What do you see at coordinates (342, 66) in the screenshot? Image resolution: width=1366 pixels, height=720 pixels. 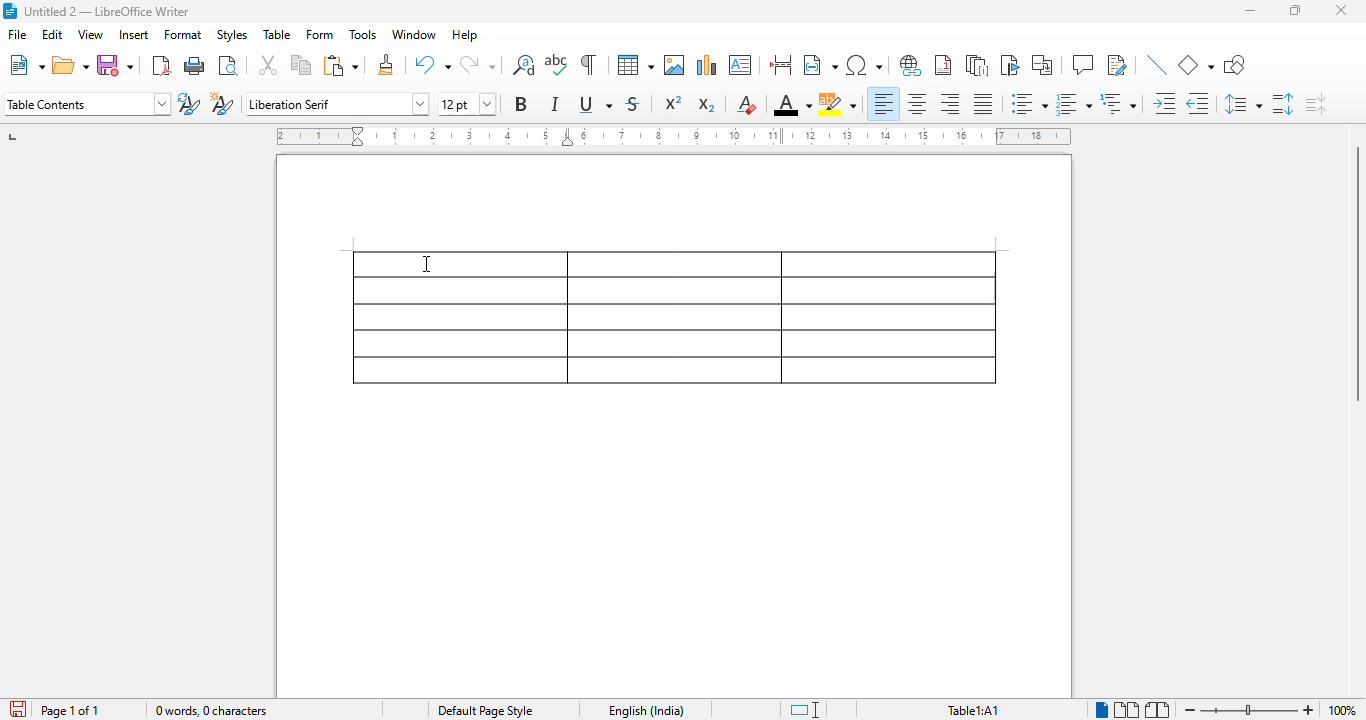 I see `paste` at bounding box center [342, 66].